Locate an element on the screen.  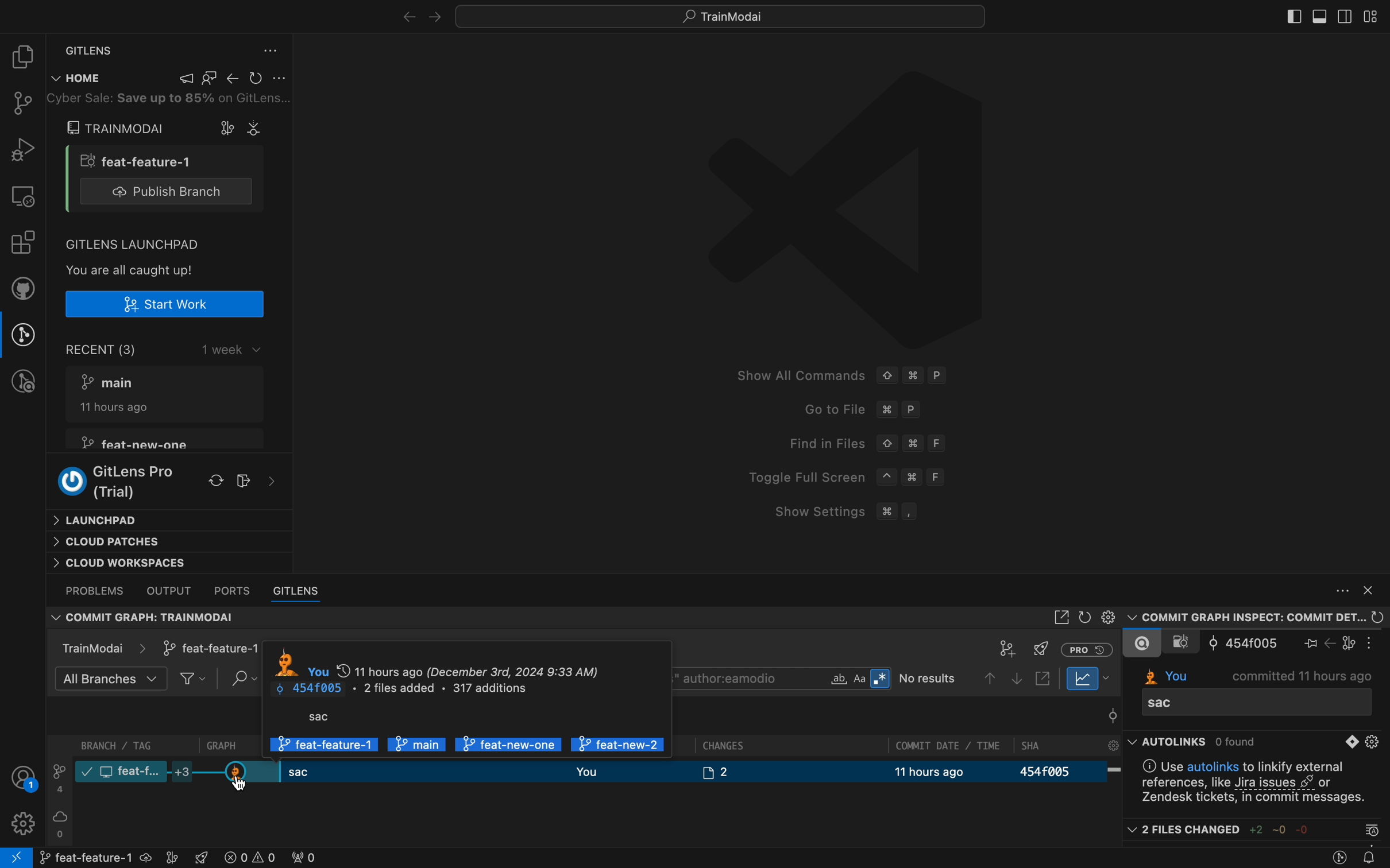
filter is located at coordinates (196, 679).